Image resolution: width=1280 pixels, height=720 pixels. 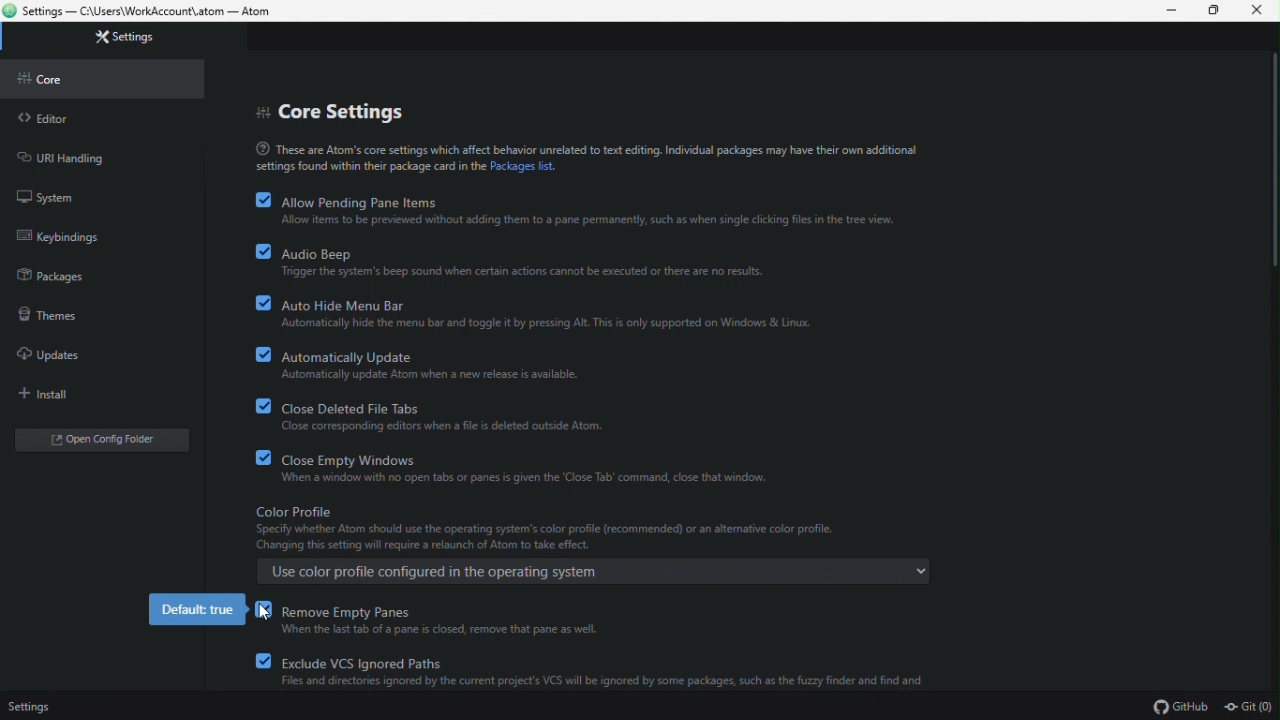 I want to click on exclude VCS ignored paths, so click(x=608, y=669).